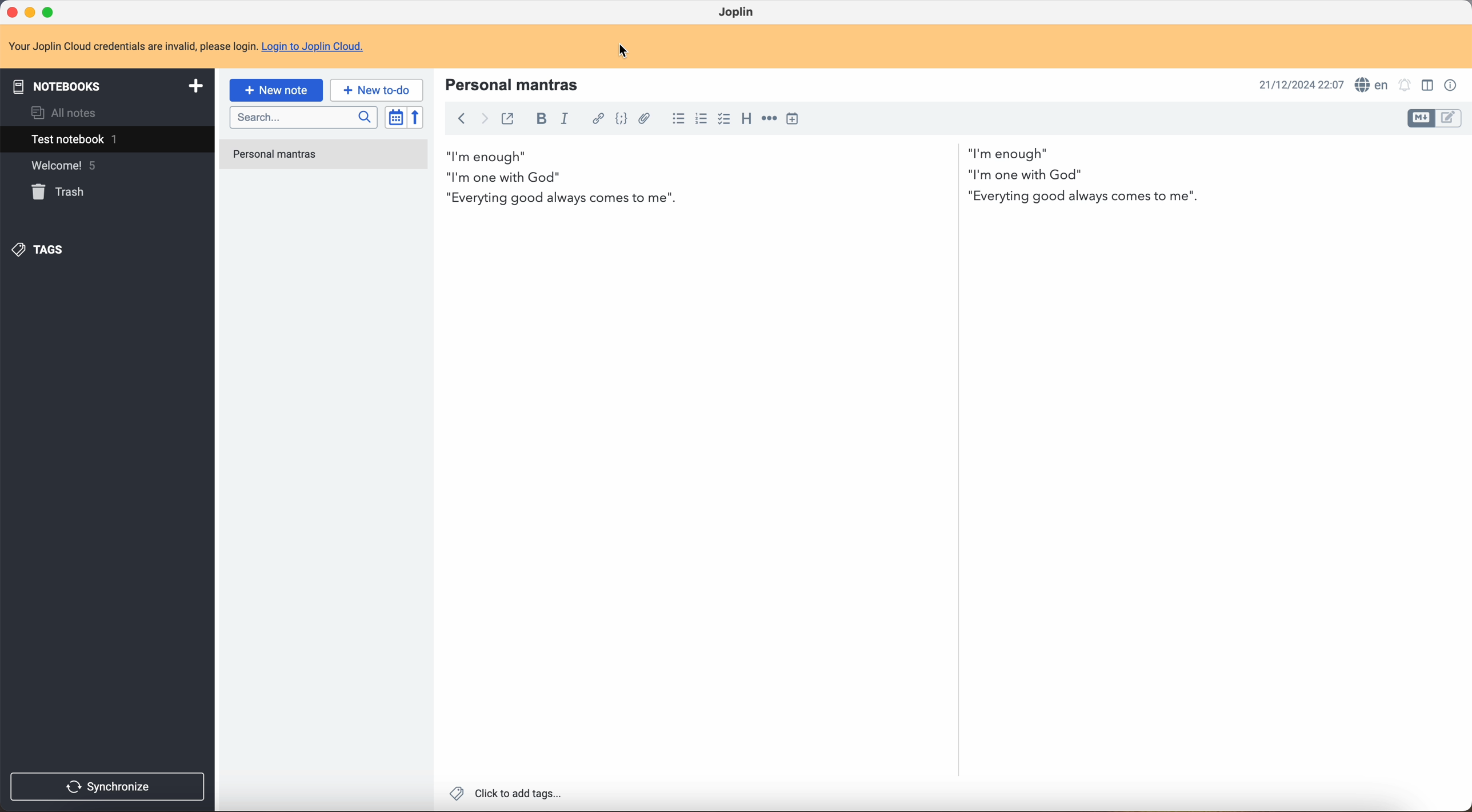  What do you see at coordinates (415, 118) in the screenshot?
I see `reverse sort order` at bounding box center [415, 118].